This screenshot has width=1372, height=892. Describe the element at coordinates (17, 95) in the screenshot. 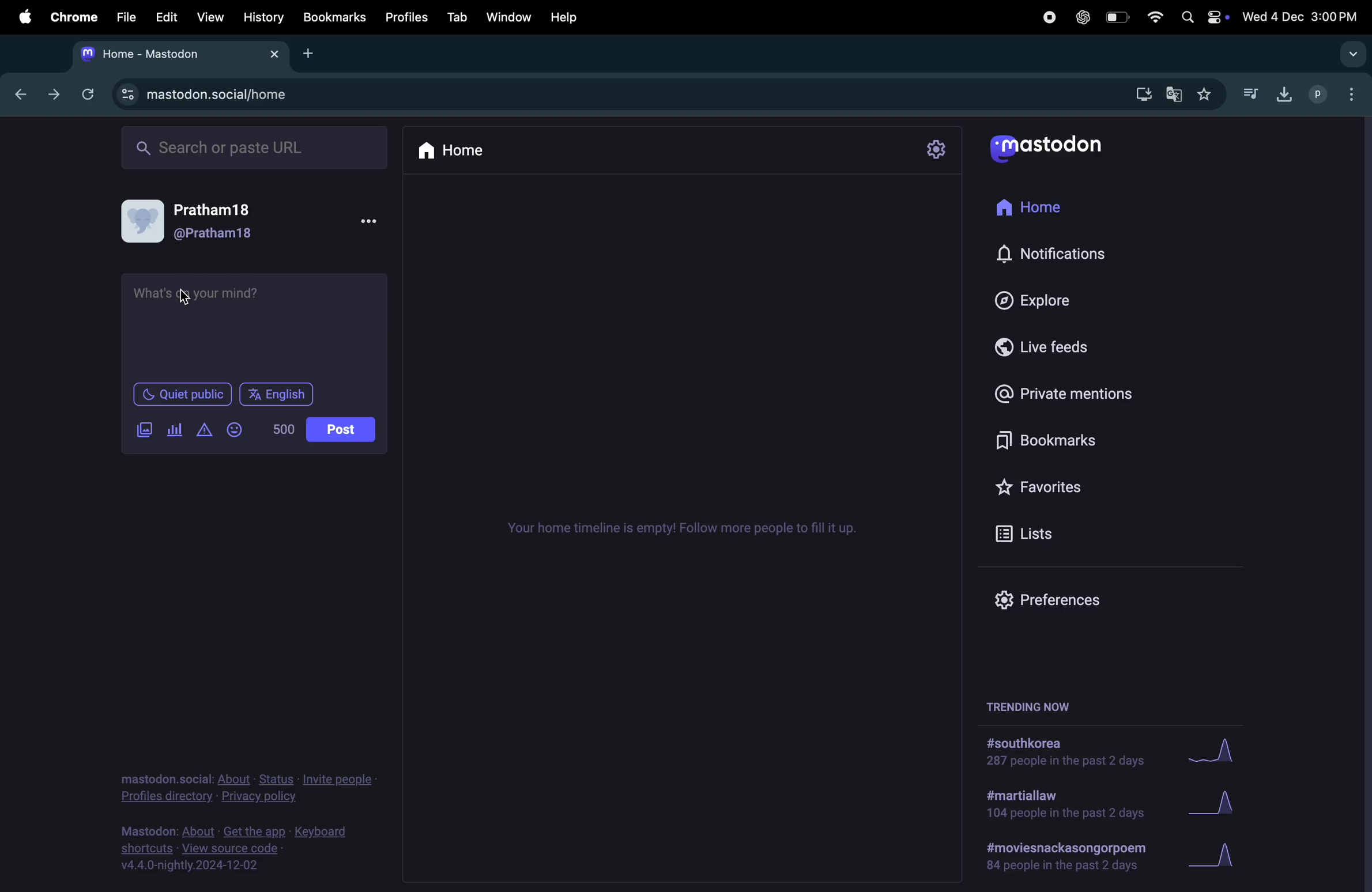

I see `backward` at that location.